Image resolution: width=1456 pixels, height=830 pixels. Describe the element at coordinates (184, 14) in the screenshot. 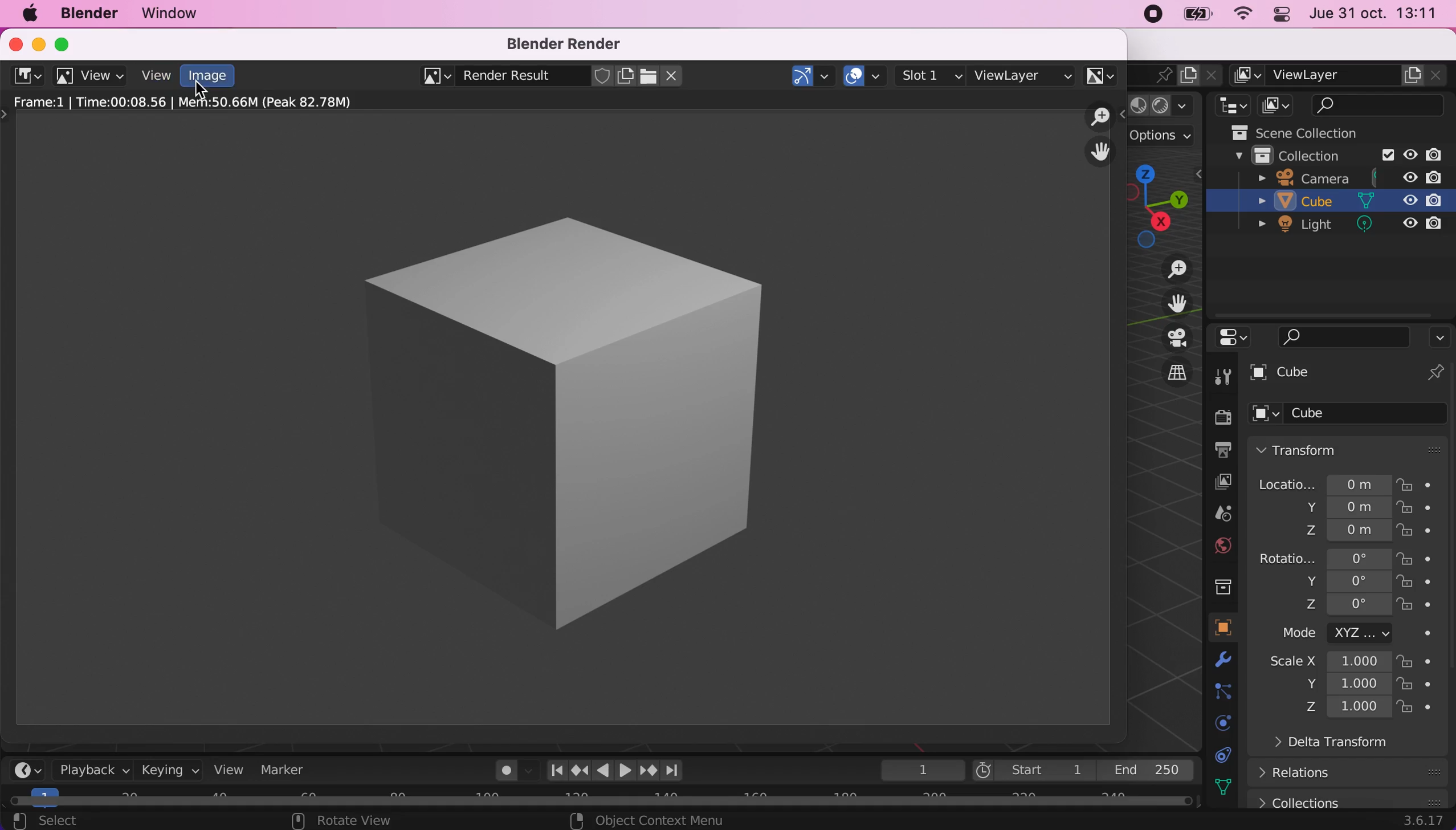

I see `window` at that location.